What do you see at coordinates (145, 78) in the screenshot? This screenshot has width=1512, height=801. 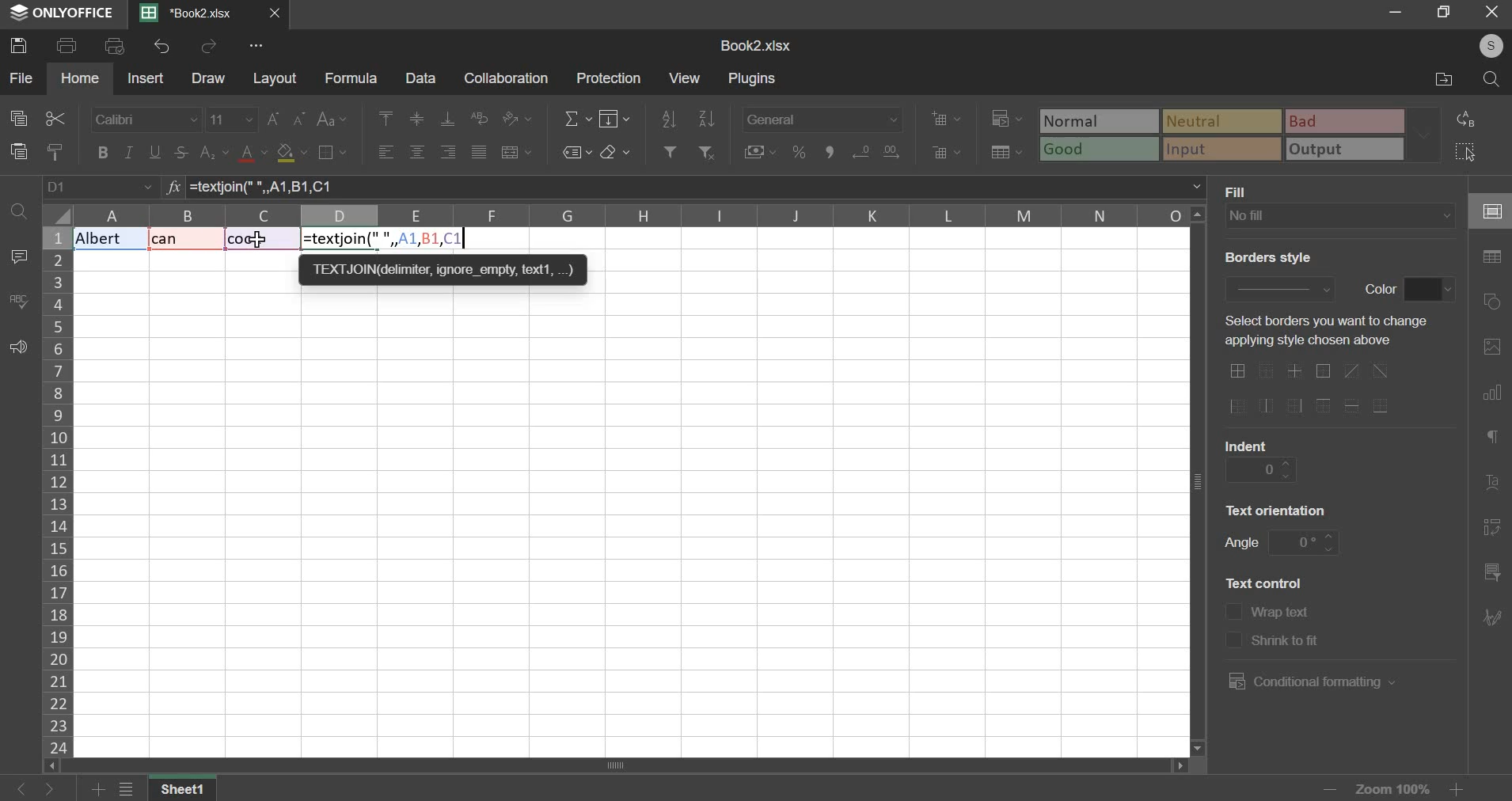 I see `insert` at bounding box center [145, 78].